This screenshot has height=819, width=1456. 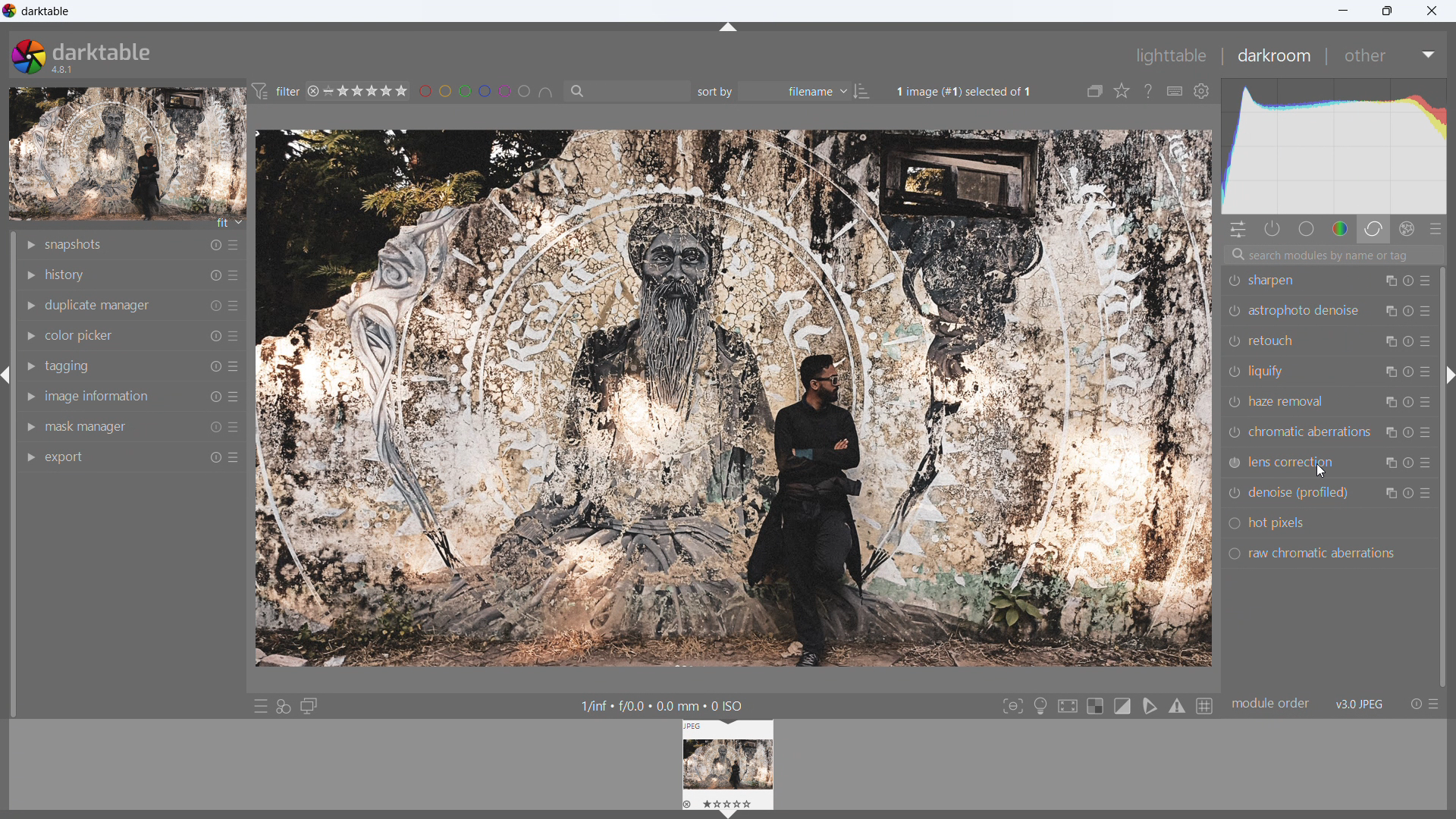 What do you see at coordinates (1274, 281) in the screenshot?
I see `sharpen` at bounding box center [1274, 281].